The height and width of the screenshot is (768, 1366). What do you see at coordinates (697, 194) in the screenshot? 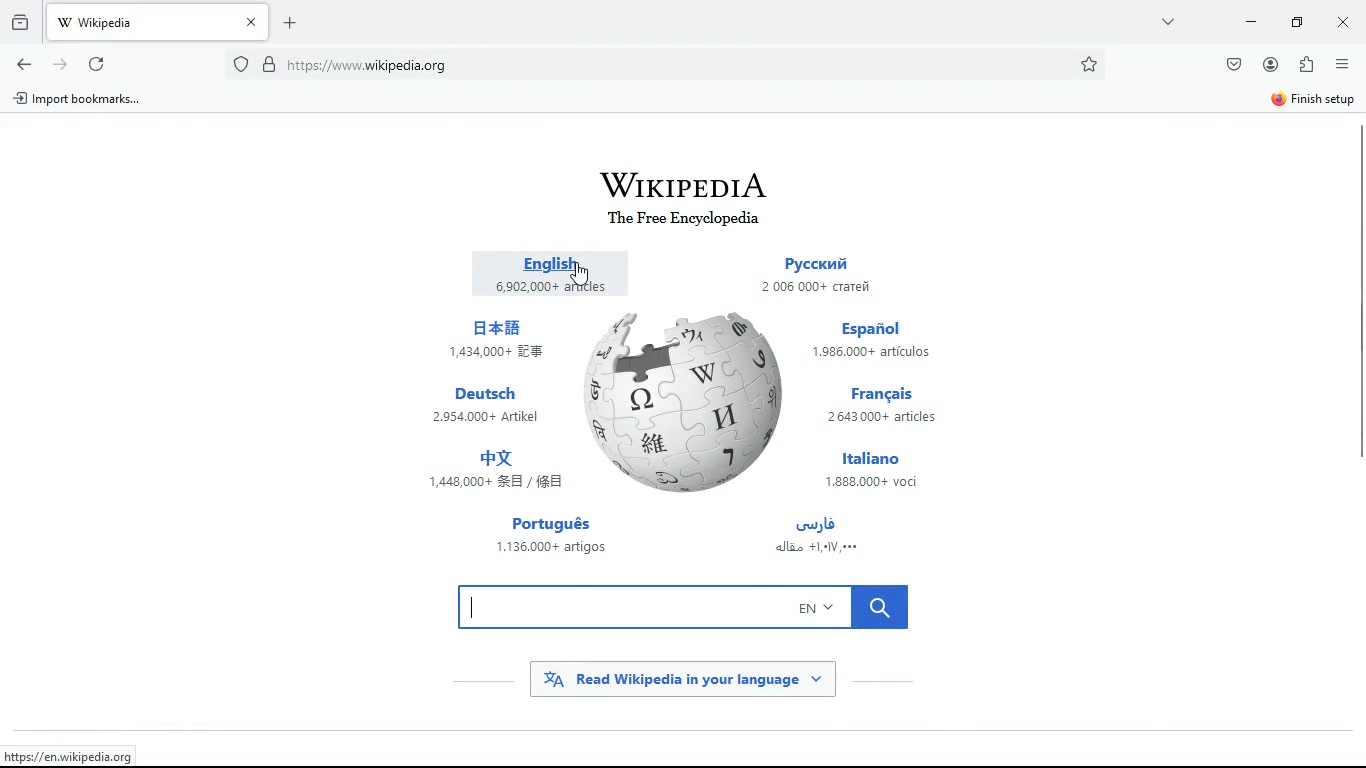
I see `wikipedia the free encyclopedia` at bounding box center [697, 194].